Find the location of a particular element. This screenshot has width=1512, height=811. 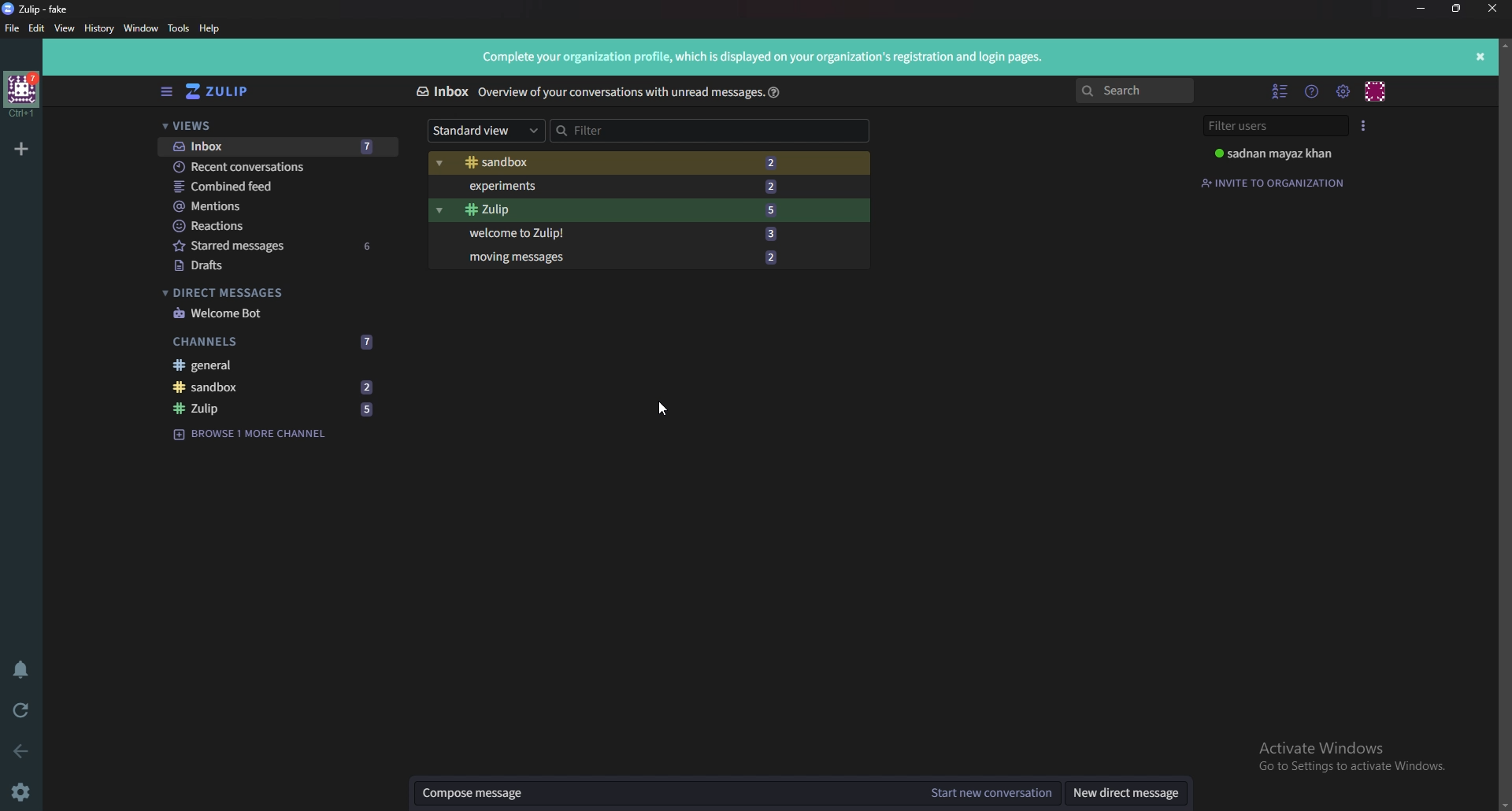

Recent conversations is located at coordinates (275, 166).